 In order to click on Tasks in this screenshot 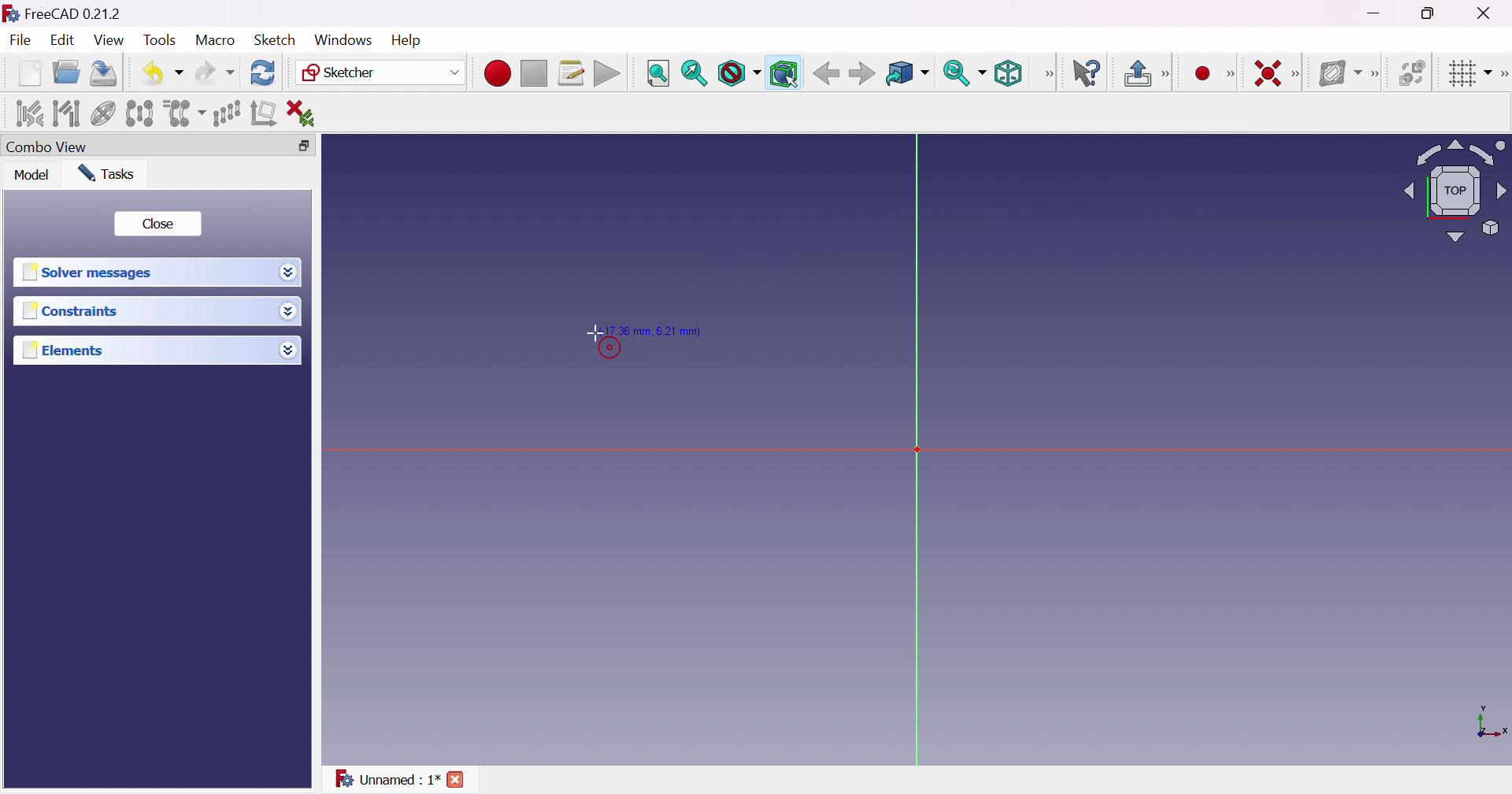, I will do `click(107, 173)`.